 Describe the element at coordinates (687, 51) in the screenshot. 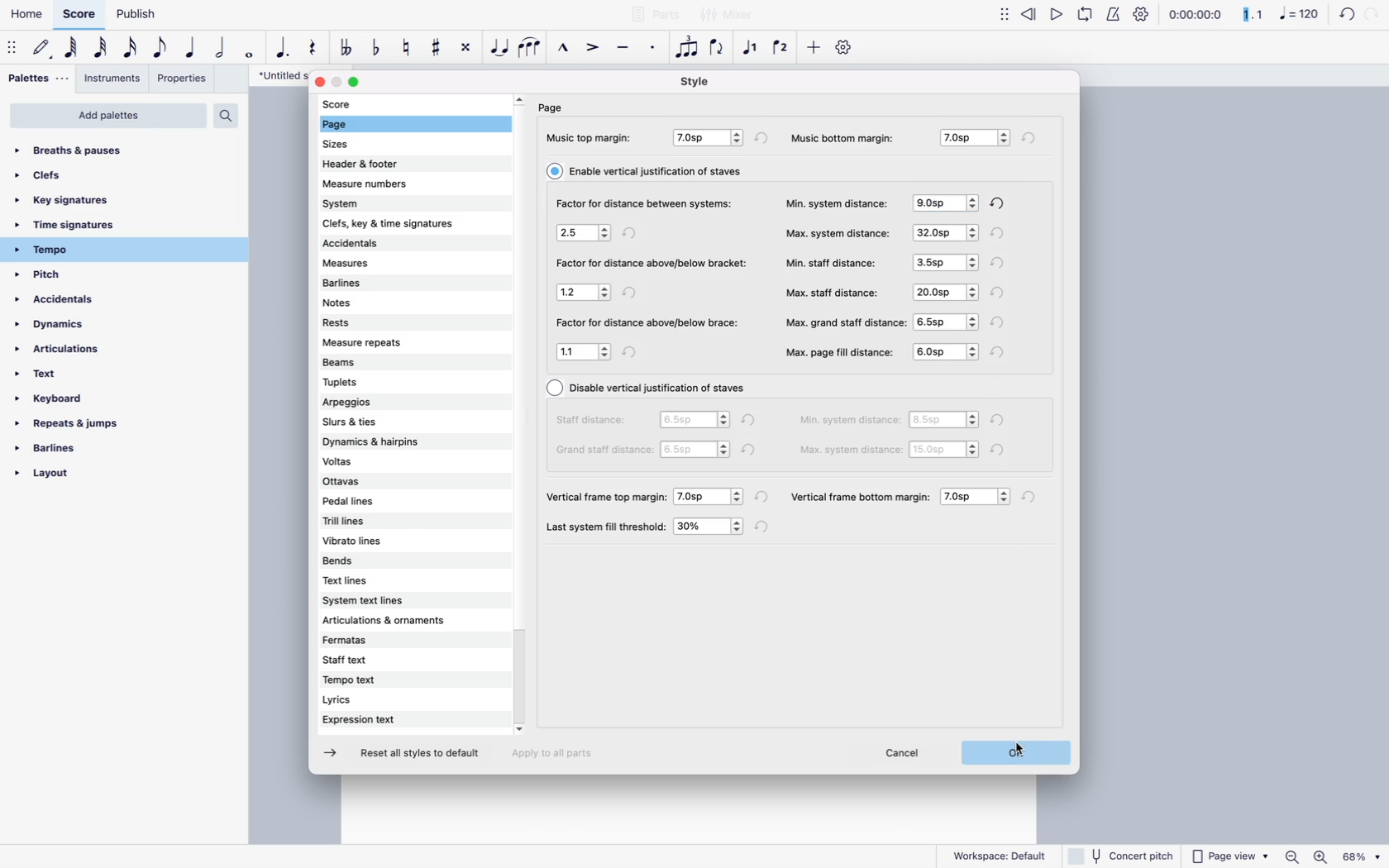

I see `tuplet` at that location.